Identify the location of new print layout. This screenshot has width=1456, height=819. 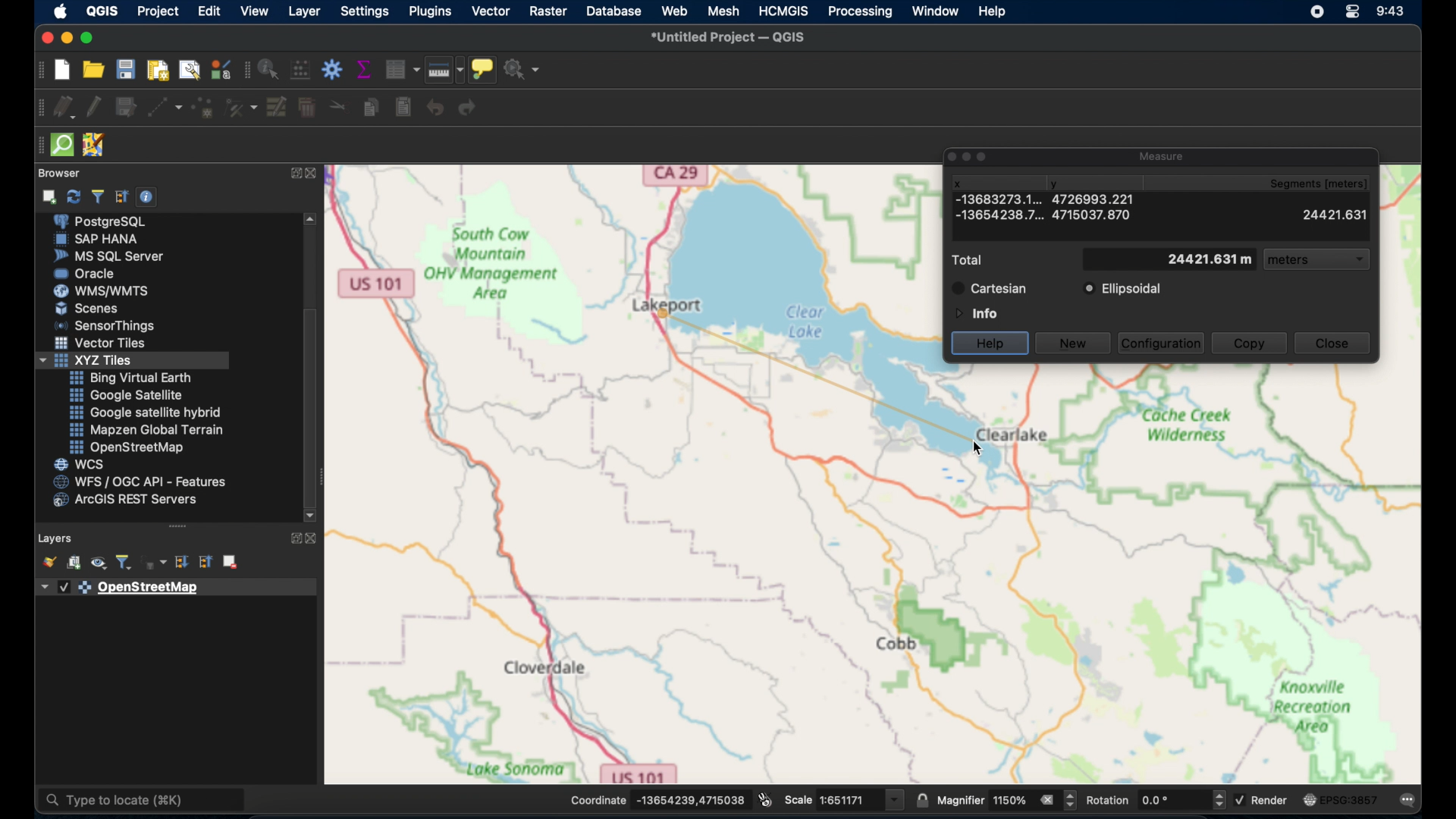
(160, 70).